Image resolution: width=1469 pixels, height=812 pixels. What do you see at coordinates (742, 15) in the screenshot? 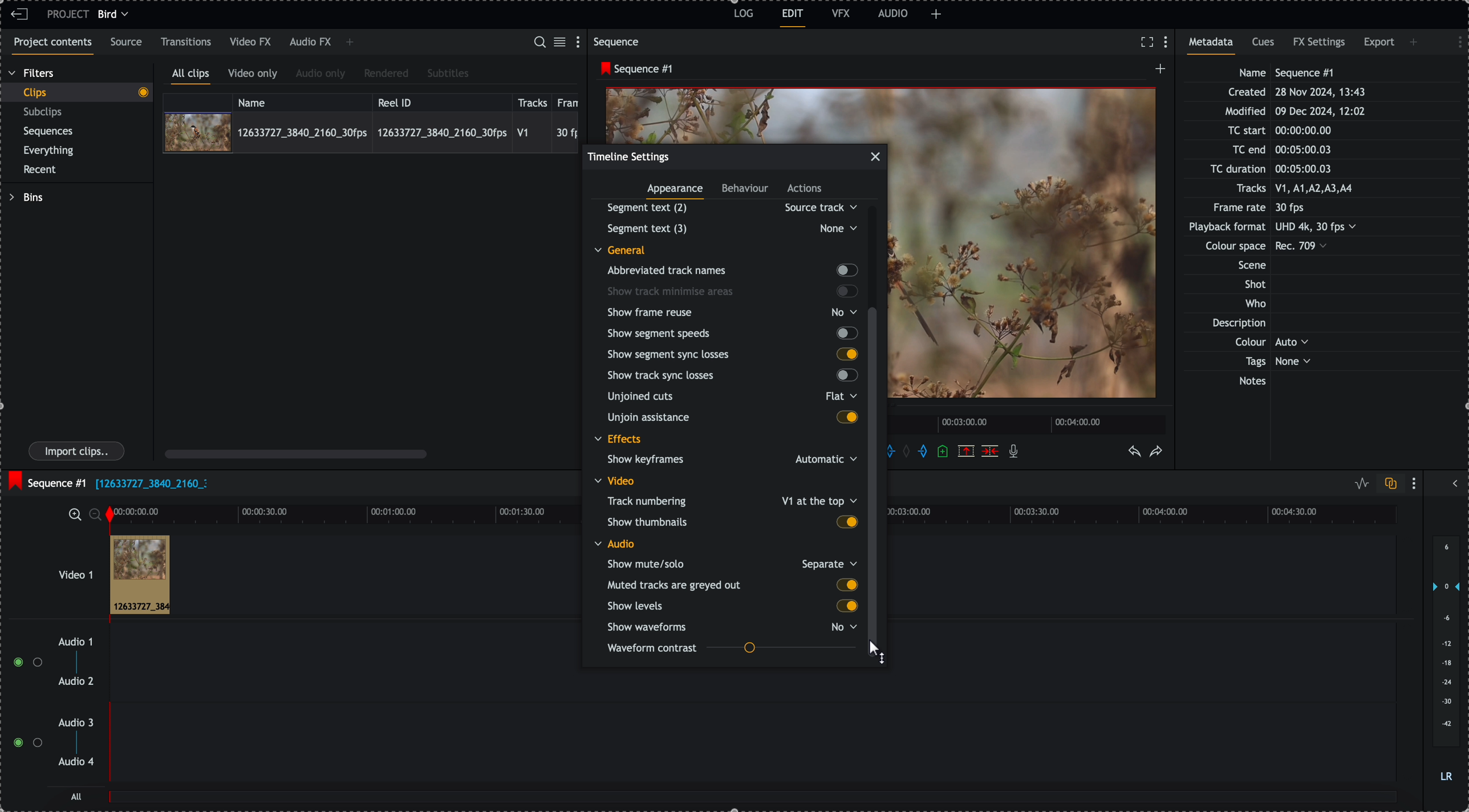
I see `log` at bounding box center [742, 15].